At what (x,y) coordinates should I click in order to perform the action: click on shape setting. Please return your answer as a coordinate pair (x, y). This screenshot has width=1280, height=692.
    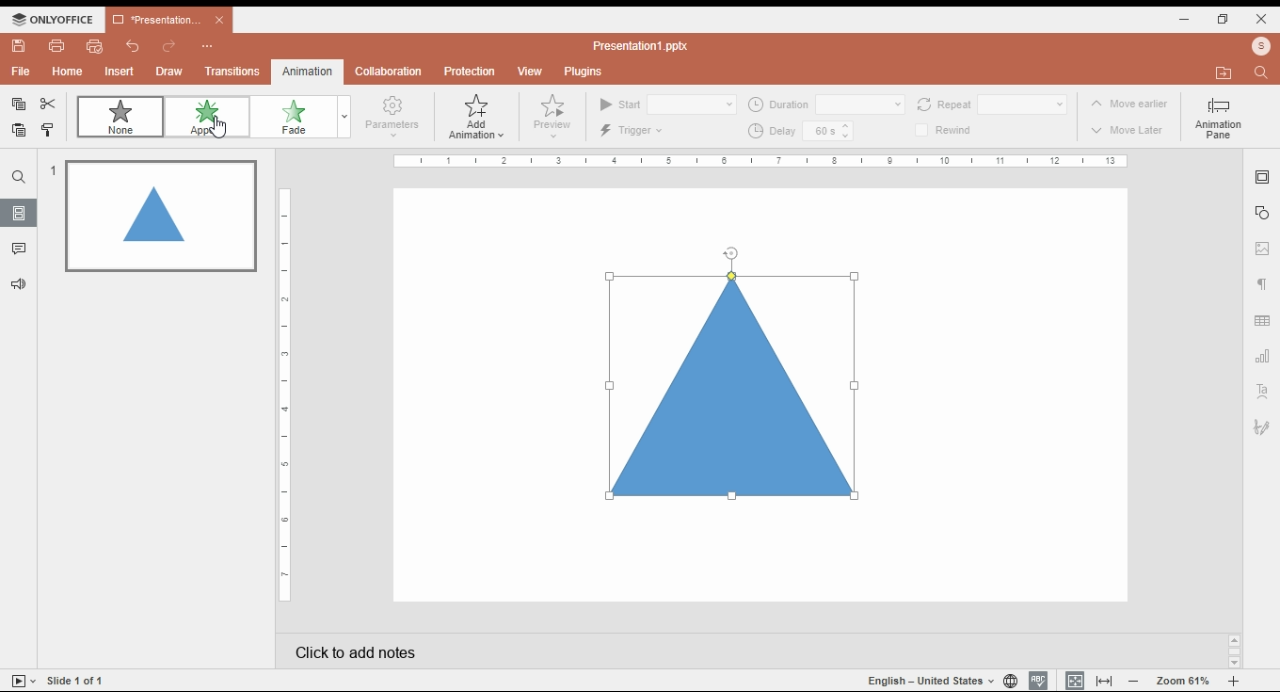
    Looking at the image, I should click on (1262, 212).